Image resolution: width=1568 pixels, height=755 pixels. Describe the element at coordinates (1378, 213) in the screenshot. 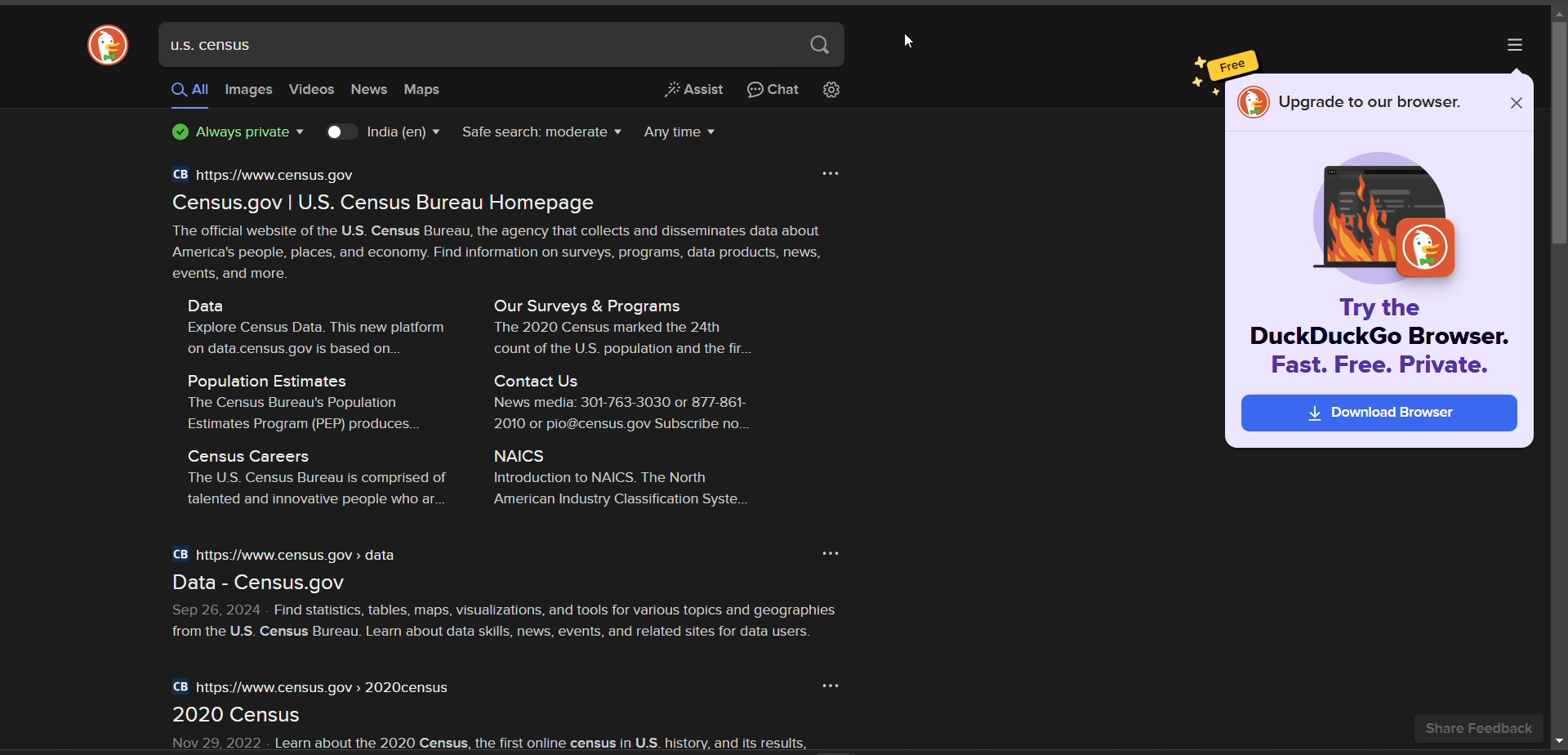

I see `image` at that location.